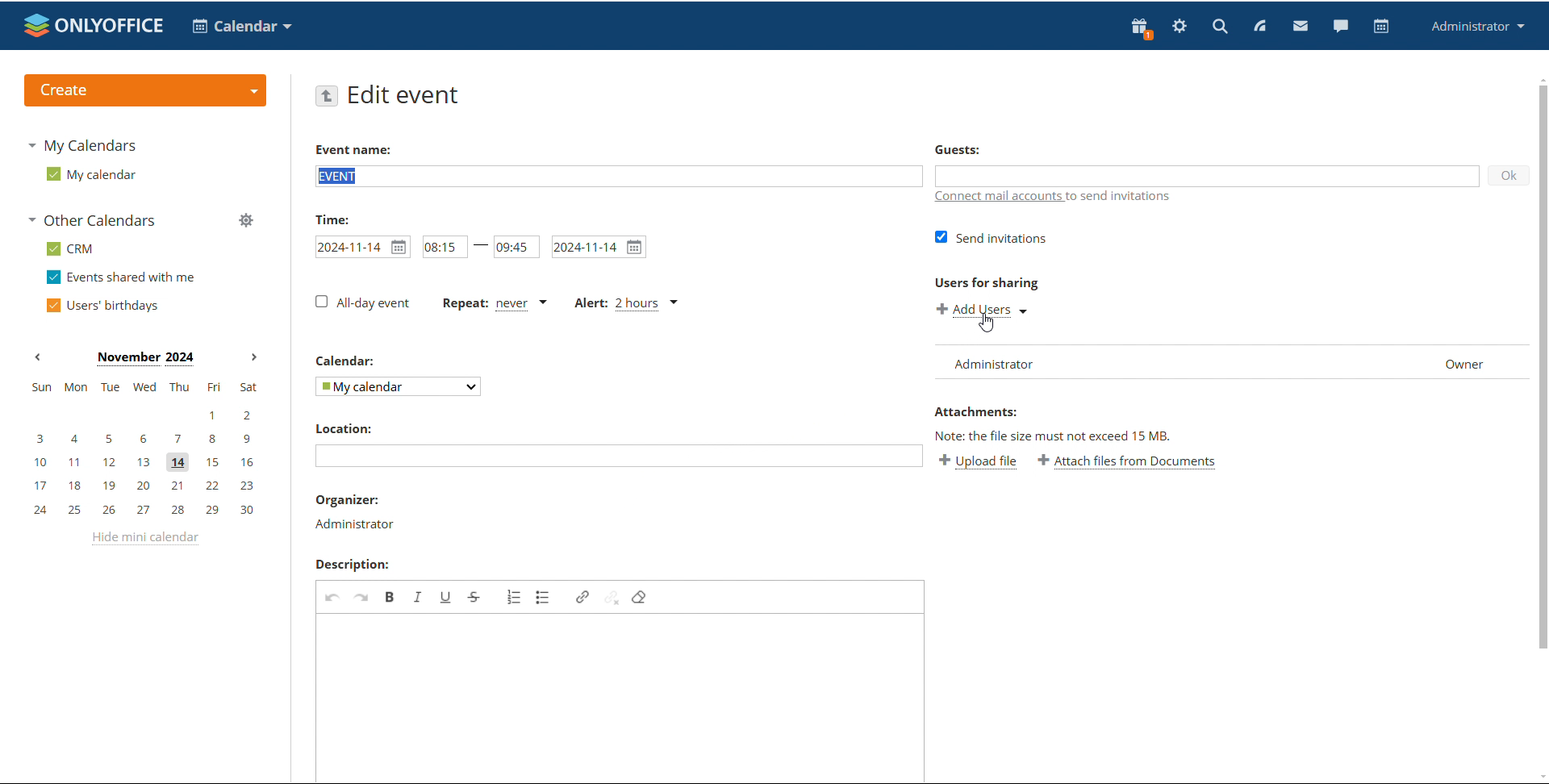 The width and height of the screenshot is (1549, 784). What do you see at coordinates (144, 511) in the screenshot?
I see `24, 25, 26, 27, 28, 29, 30 ` at bounding box center [144, 511].